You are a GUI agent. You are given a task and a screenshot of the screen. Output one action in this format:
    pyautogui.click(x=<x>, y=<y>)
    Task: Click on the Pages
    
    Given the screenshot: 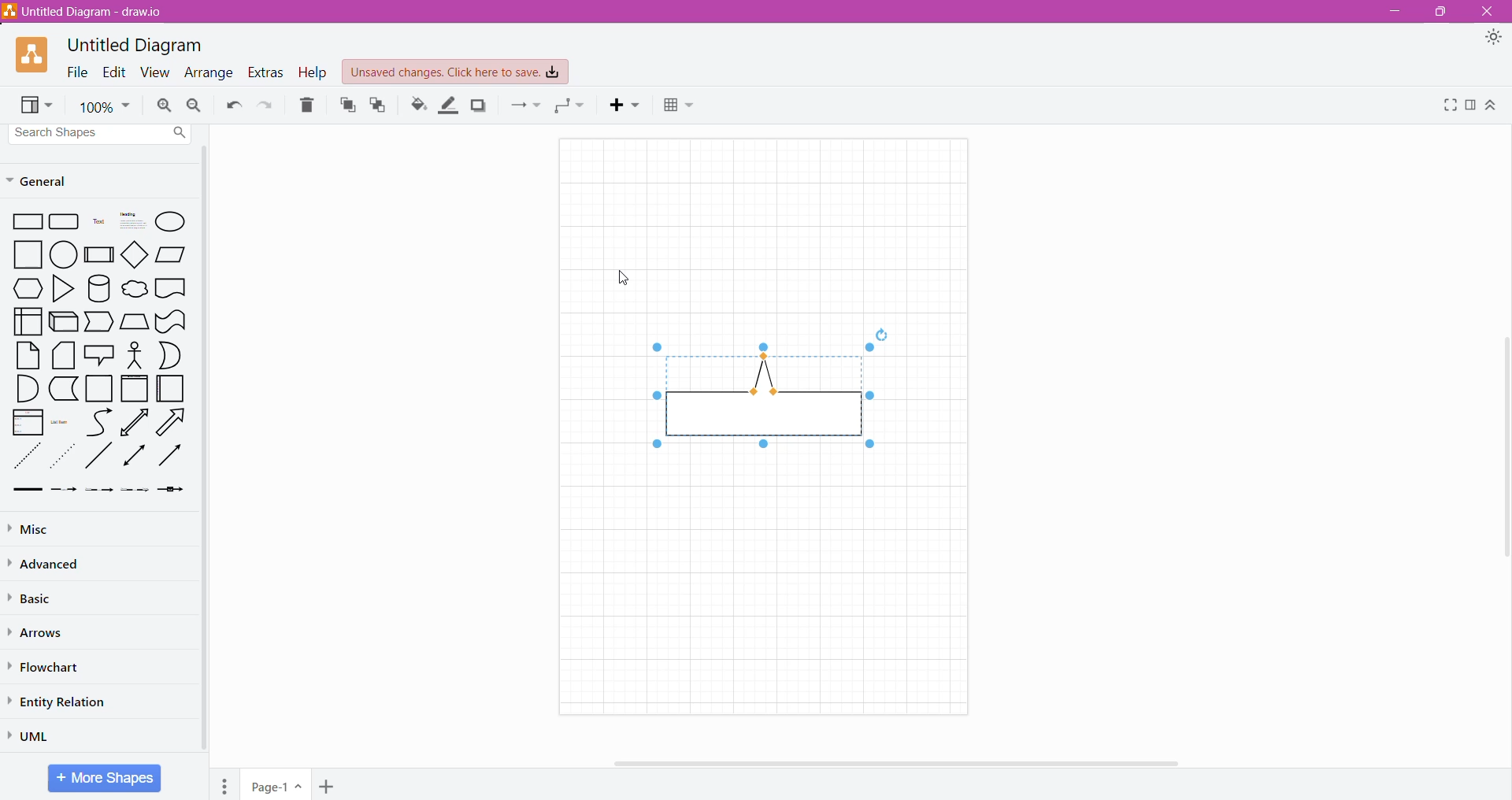 What is the action you would take?
    pyautogui.click(x=224, y=784)
    